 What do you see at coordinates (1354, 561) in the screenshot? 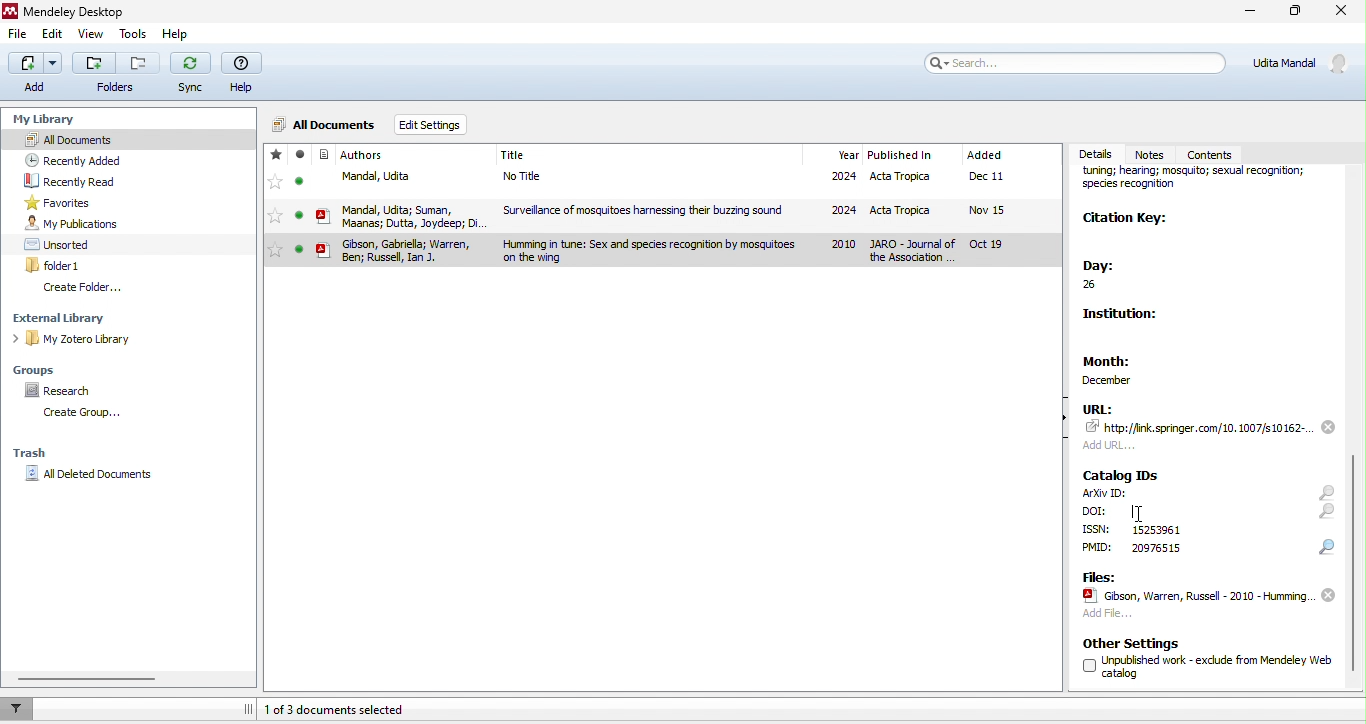
I see `scroll down` at bounding box center [1354, 561].